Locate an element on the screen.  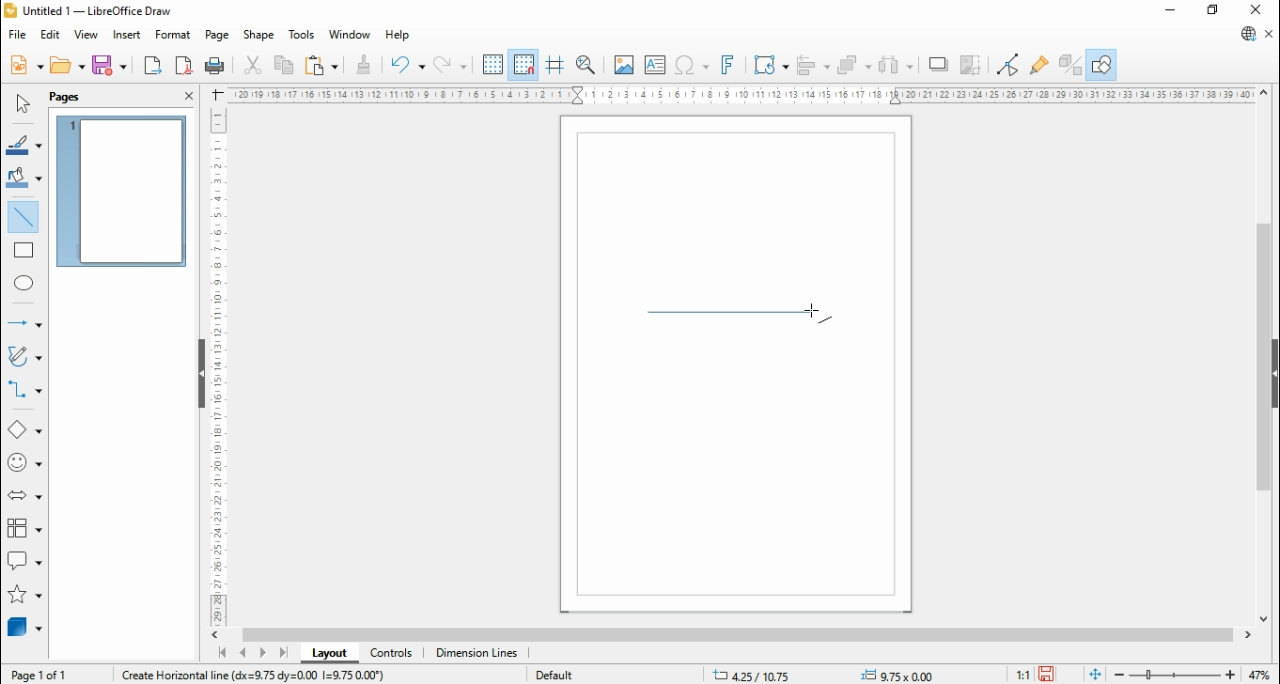
Scale is located at coordinates (218, 366).